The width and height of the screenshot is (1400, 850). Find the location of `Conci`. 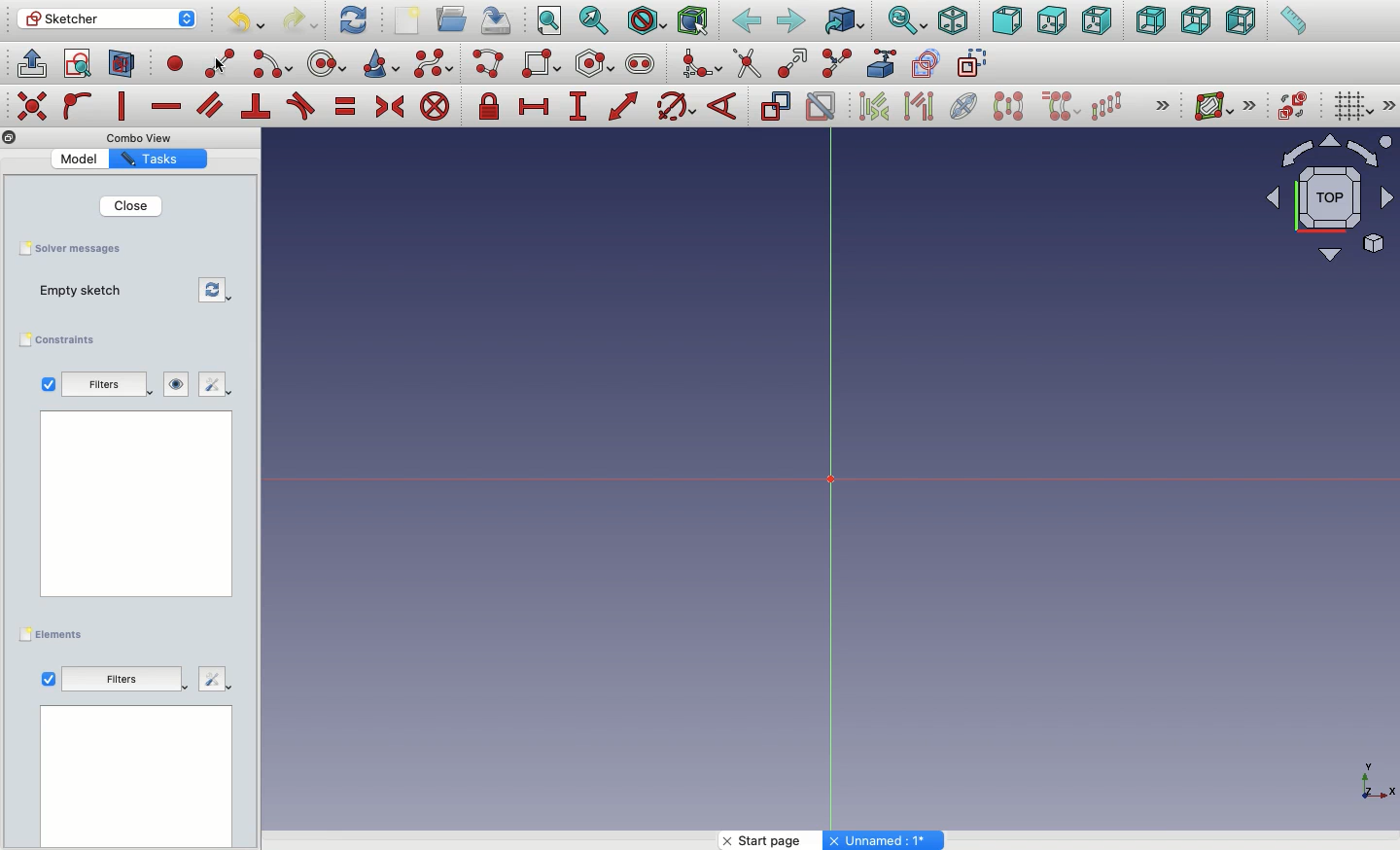

Conci is located at coordinates (382, 63).